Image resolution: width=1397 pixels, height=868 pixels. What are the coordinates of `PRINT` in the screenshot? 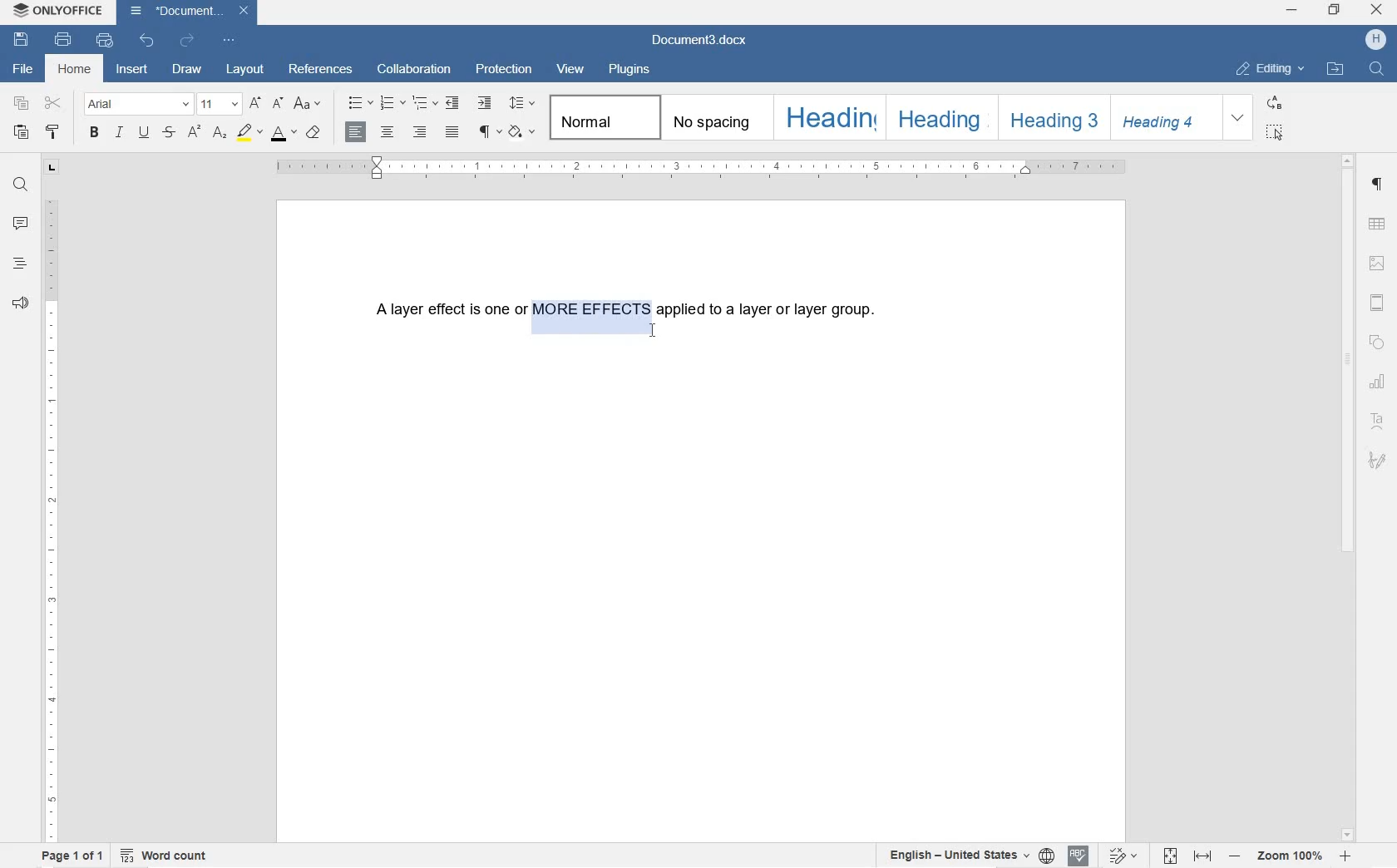 It's located at (62, 40).